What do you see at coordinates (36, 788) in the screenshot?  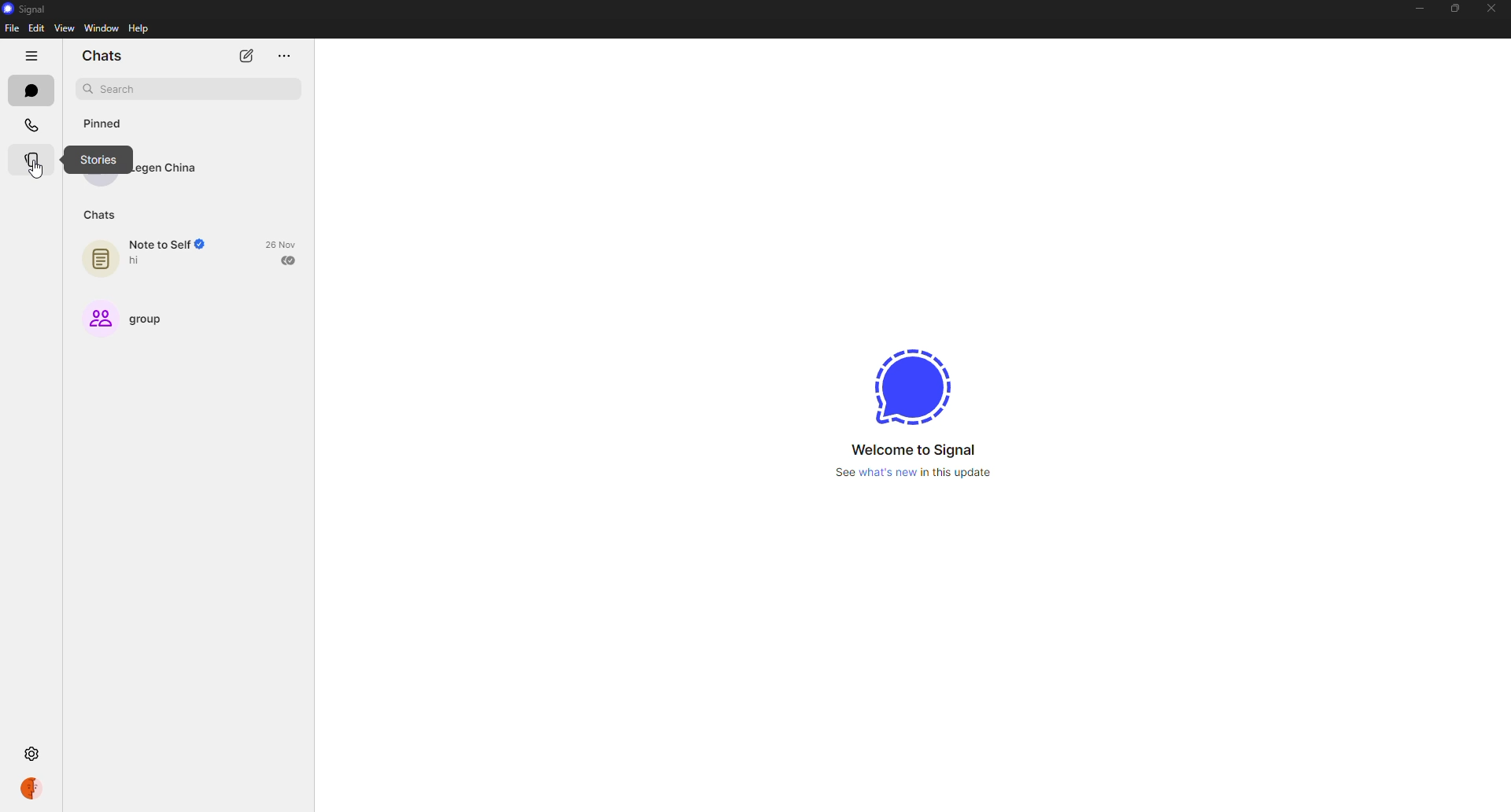 I see `profile` at bounding box center [36, 788].